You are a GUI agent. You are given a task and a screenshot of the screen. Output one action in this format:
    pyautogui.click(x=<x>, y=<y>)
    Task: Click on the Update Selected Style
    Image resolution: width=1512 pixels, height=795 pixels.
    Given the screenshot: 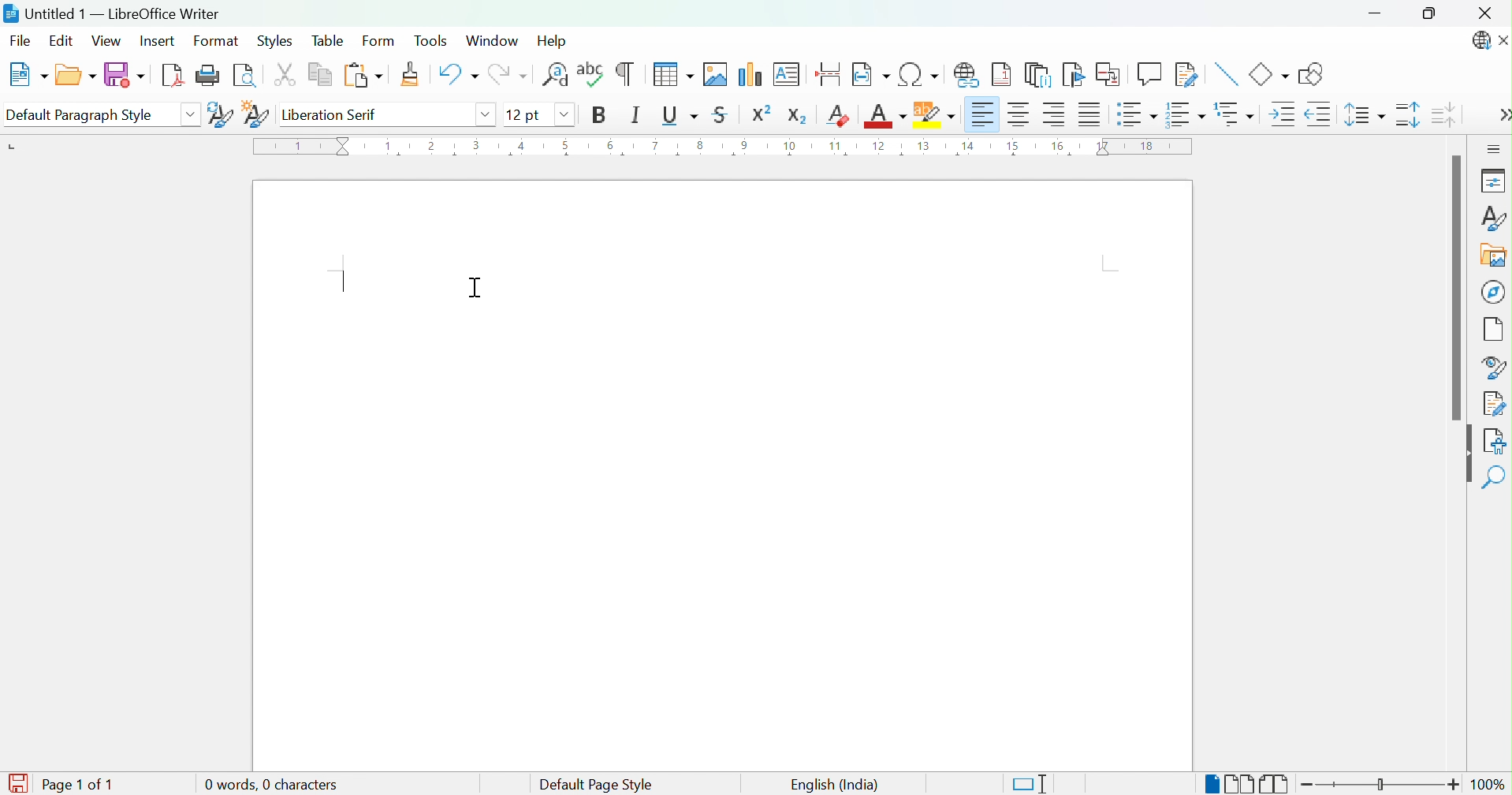 What is the action you would take?
    pyautogui.click(x=218, y=114)
    